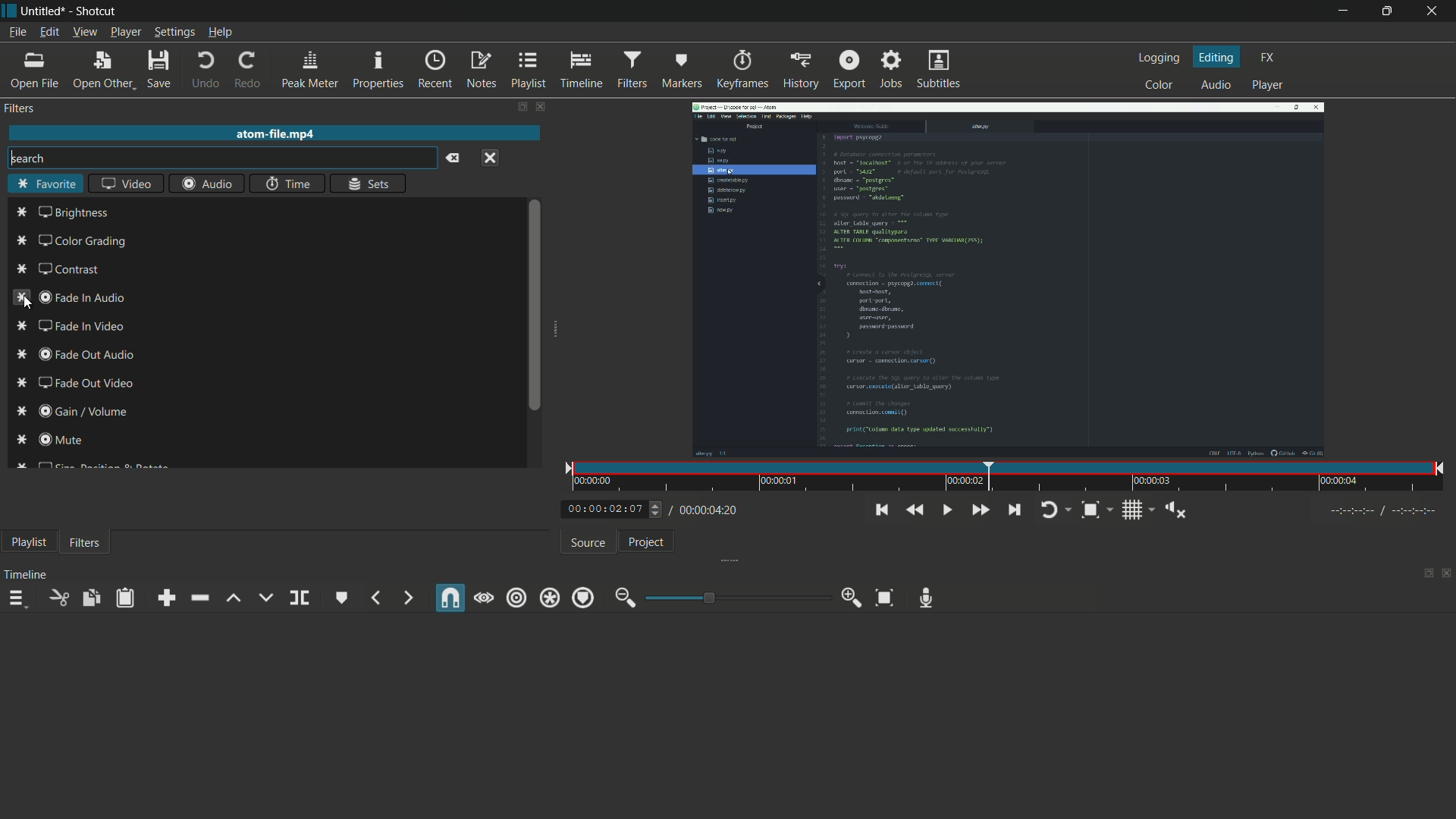 Image resolution: width=1456 pixels, height=819 pixels. I want to click on total time, so click(703, 510).